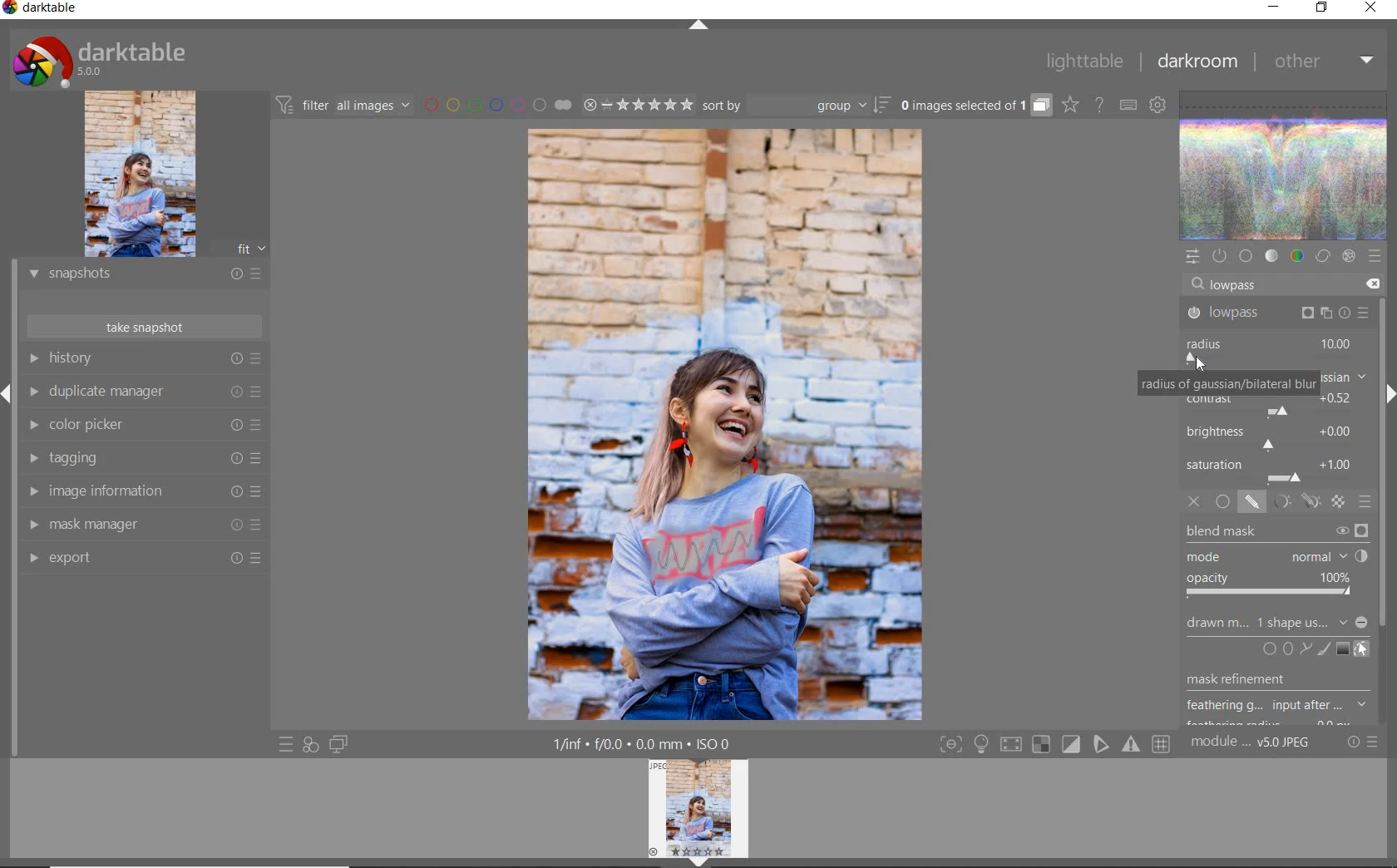  I want to click on image preview, so click(163, 173).